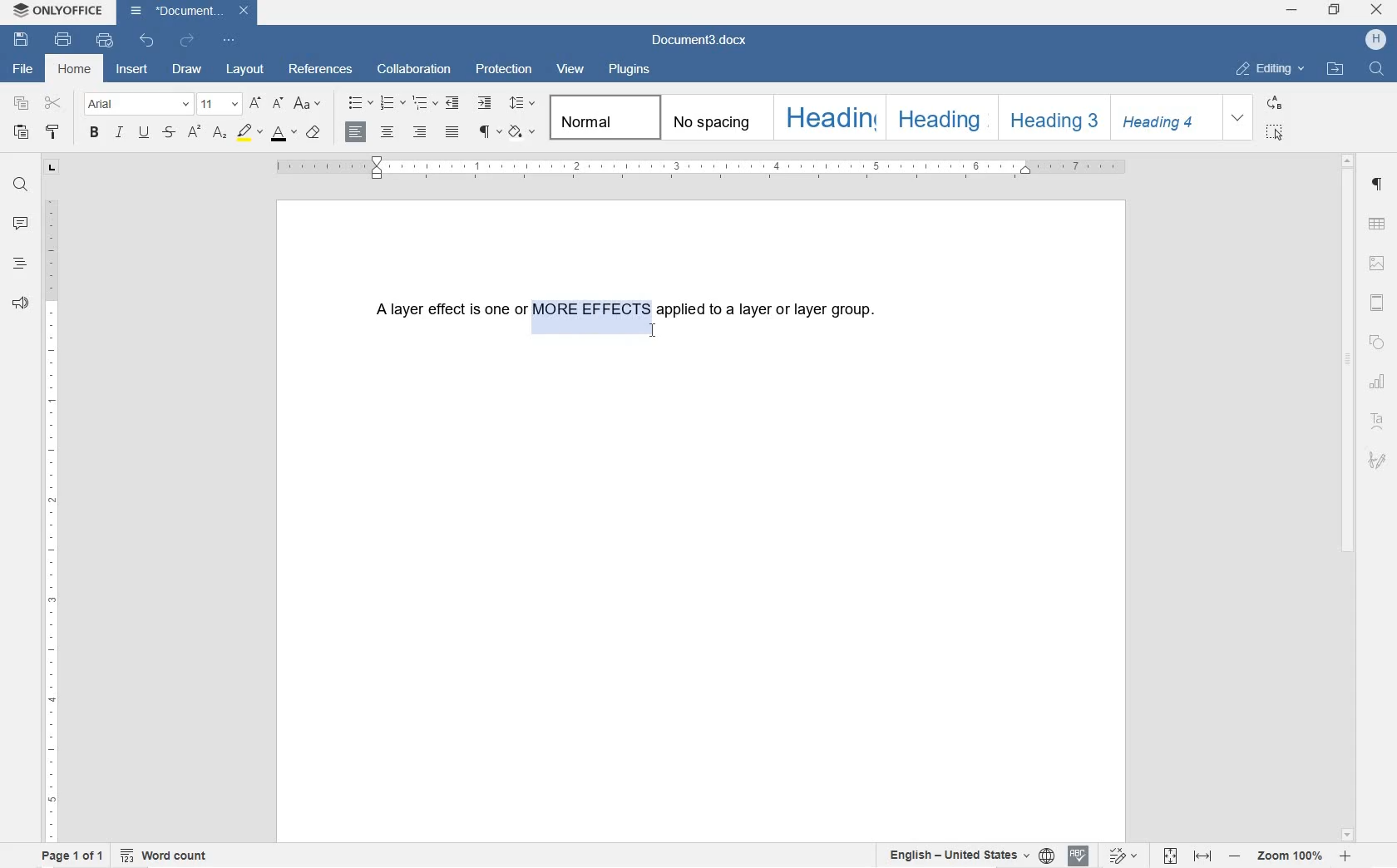 Image resolution: width=1397 pixels, height=868 pixels. What do you see at coordinates (21, 184) in the screenshot?
I see `FIND` at bounding box center [21, 184].